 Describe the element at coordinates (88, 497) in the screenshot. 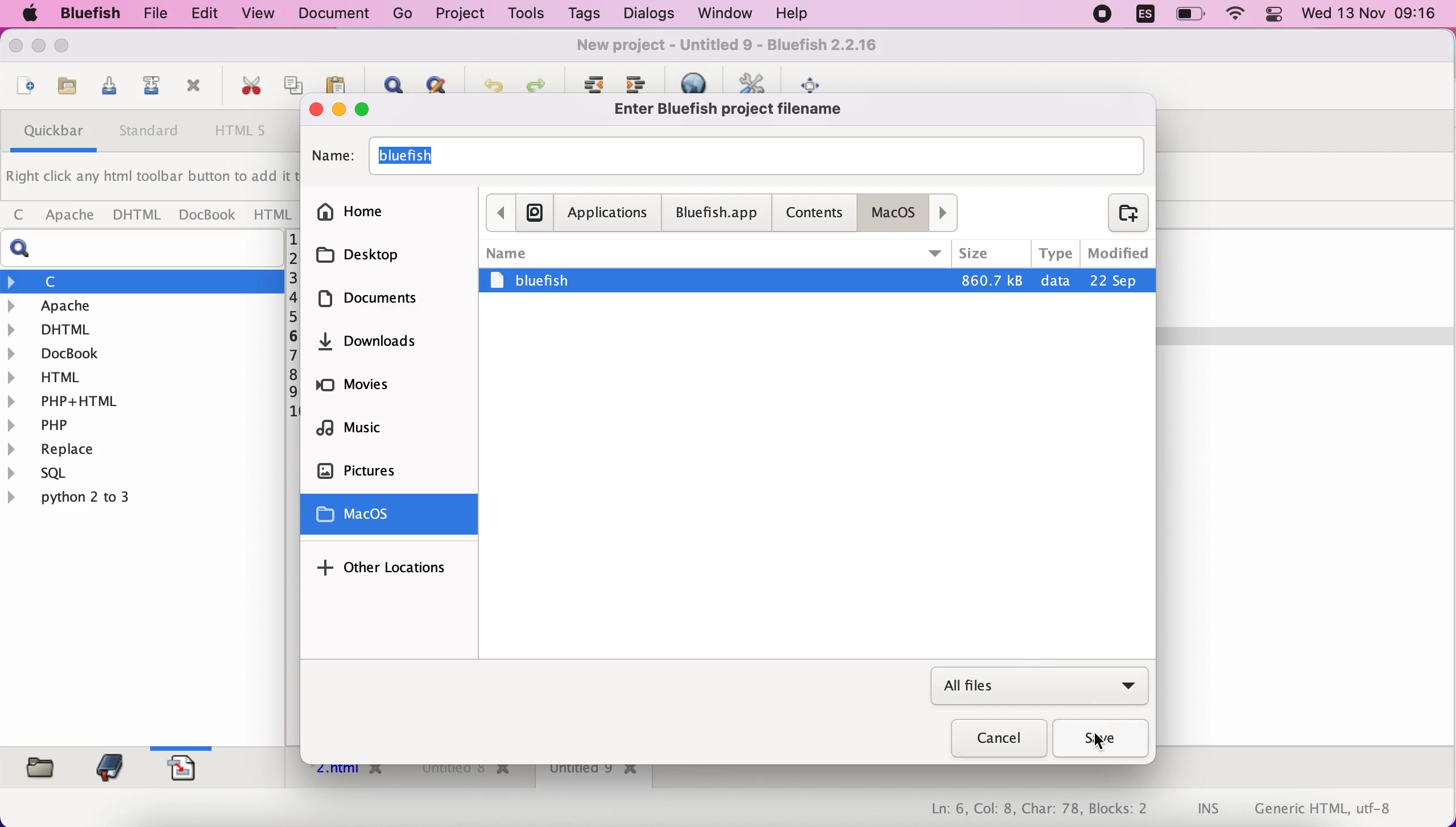

I see `python 2 to 3` at that location.